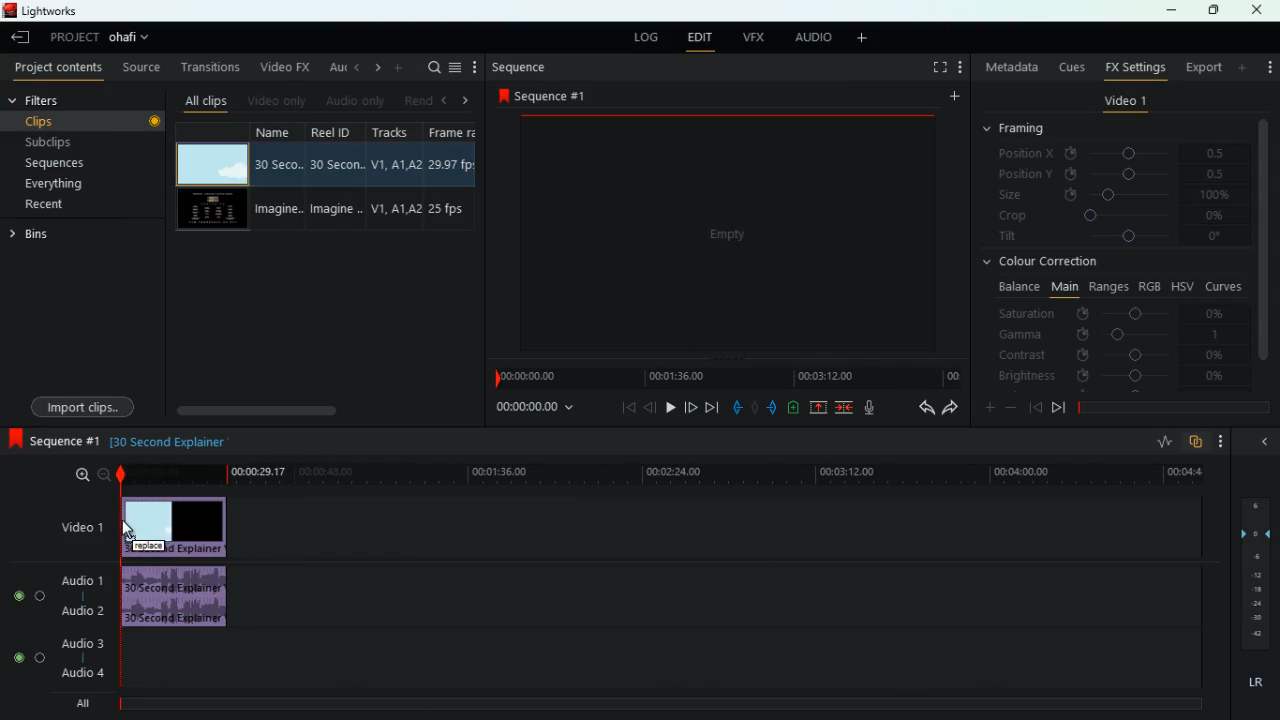 The image size is (1280, 720). What do you see at coordinates (1012, 67) in the screenshot?
I see `metadata` at bounding box center [1012, 67].